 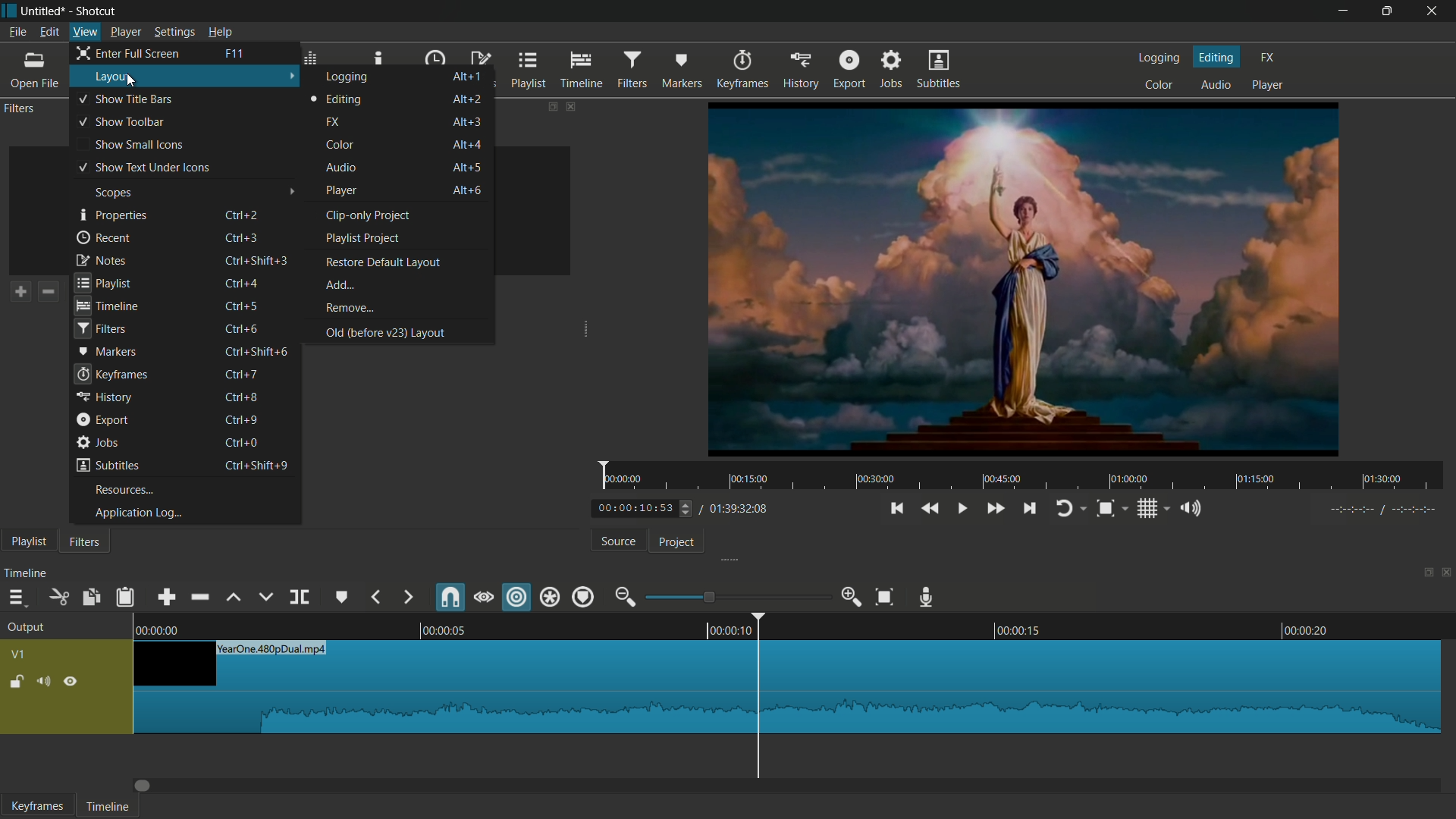 What do you see at coordinates (121, 123) in the screenshot?
I see `show toolbar` at bounding box center [121, 123].